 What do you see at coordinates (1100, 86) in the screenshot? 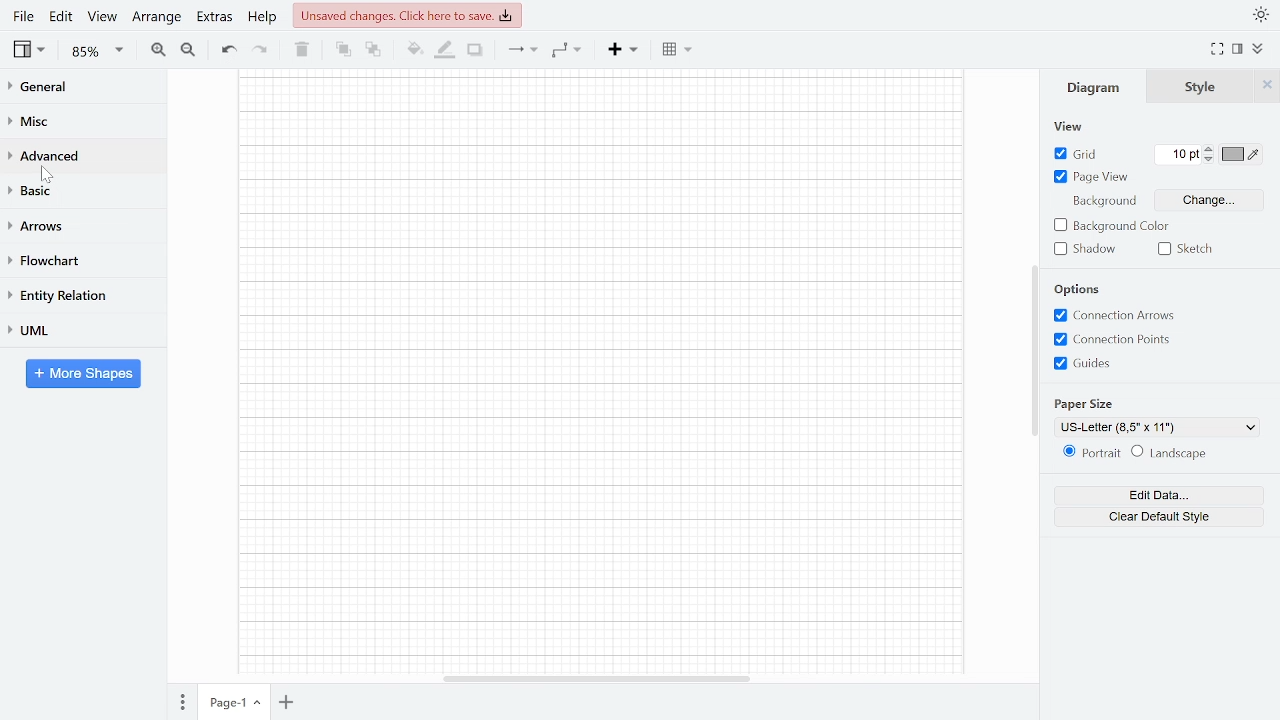
I see `Diagram` at bounding box center [1100, 86].